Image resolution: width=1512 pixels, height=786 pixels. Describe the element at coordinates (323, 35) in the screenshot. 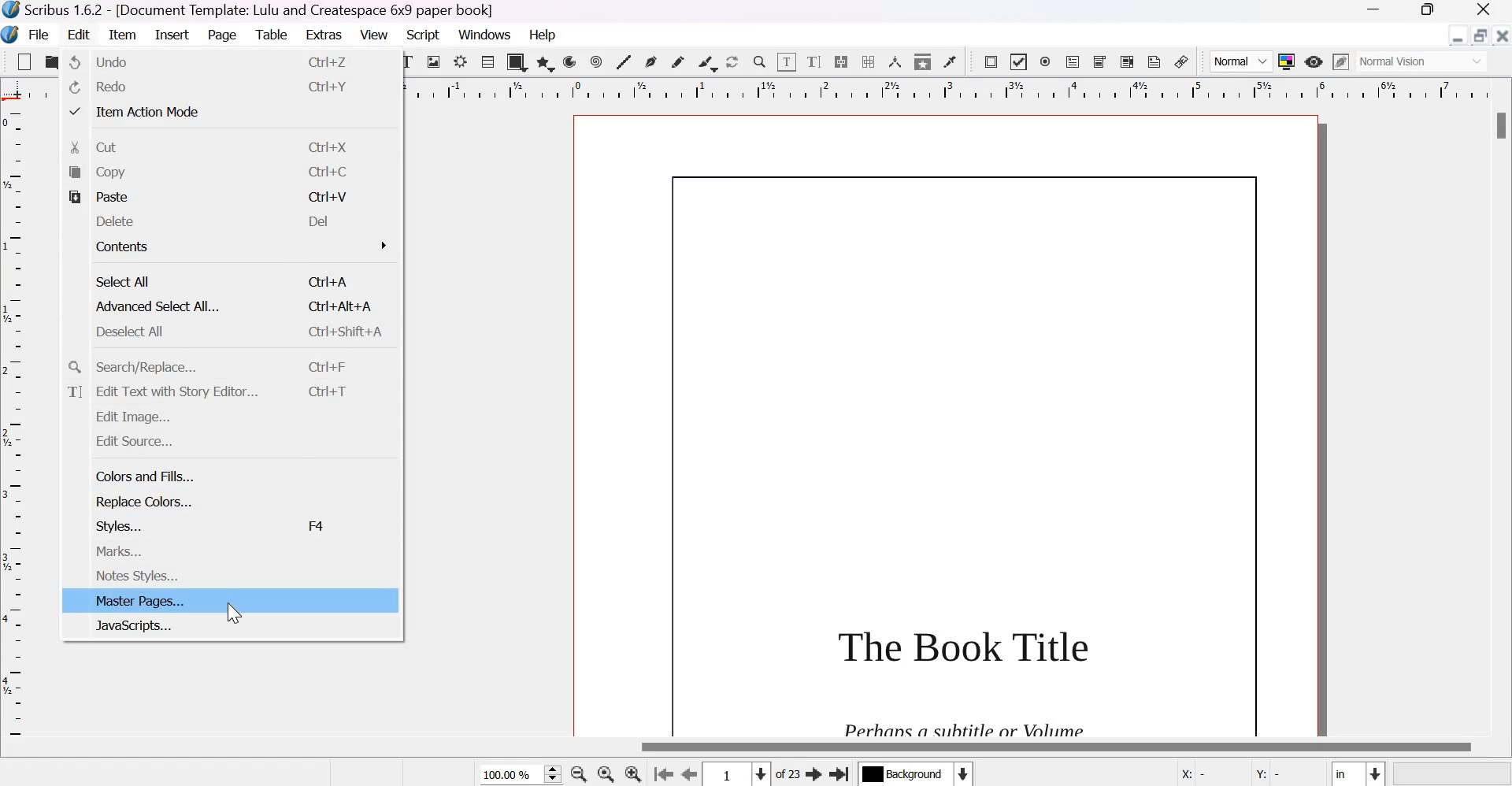

I see `Extras` at that location.